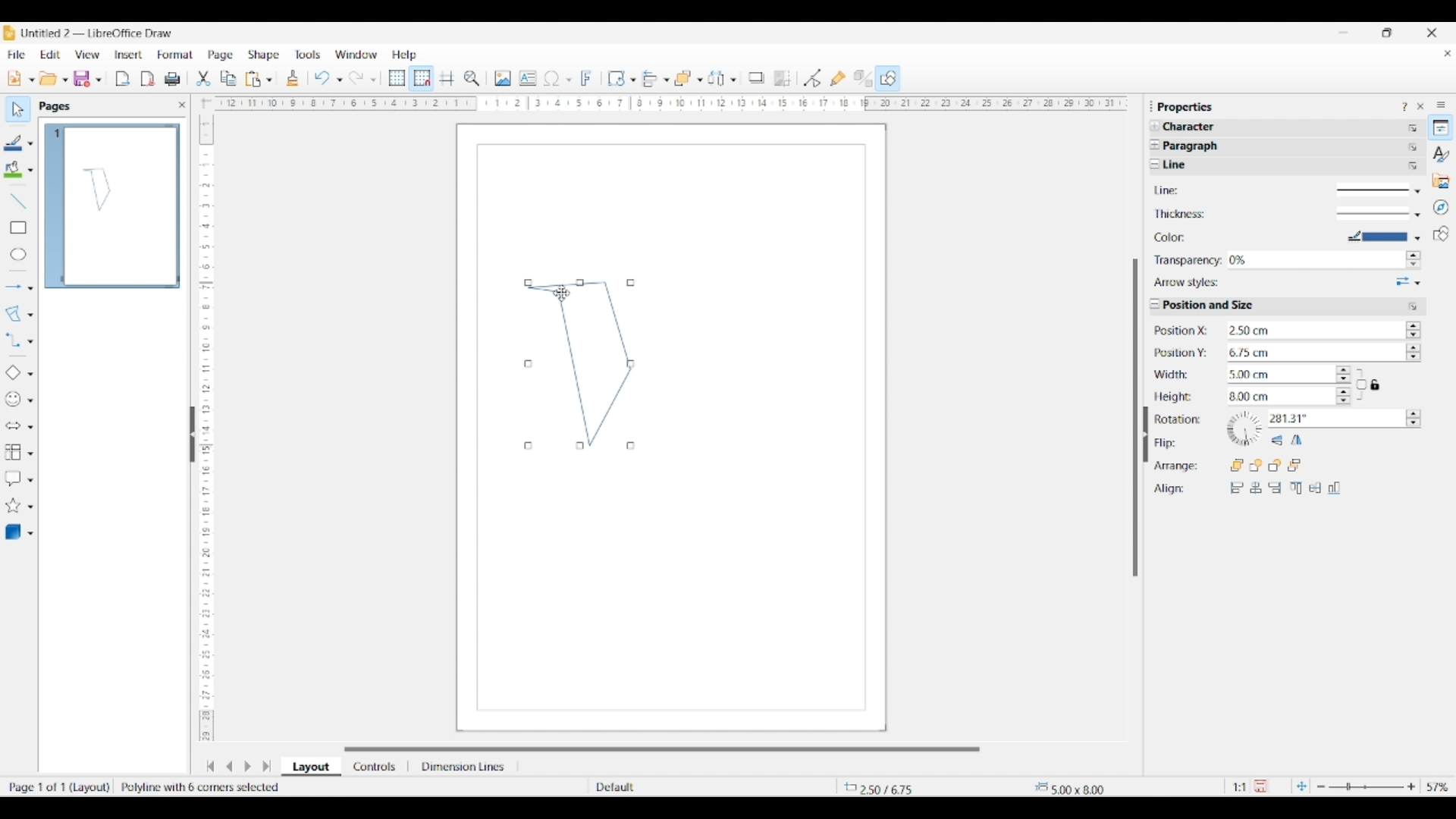  I want to click on Cursor, so click(562, 293).